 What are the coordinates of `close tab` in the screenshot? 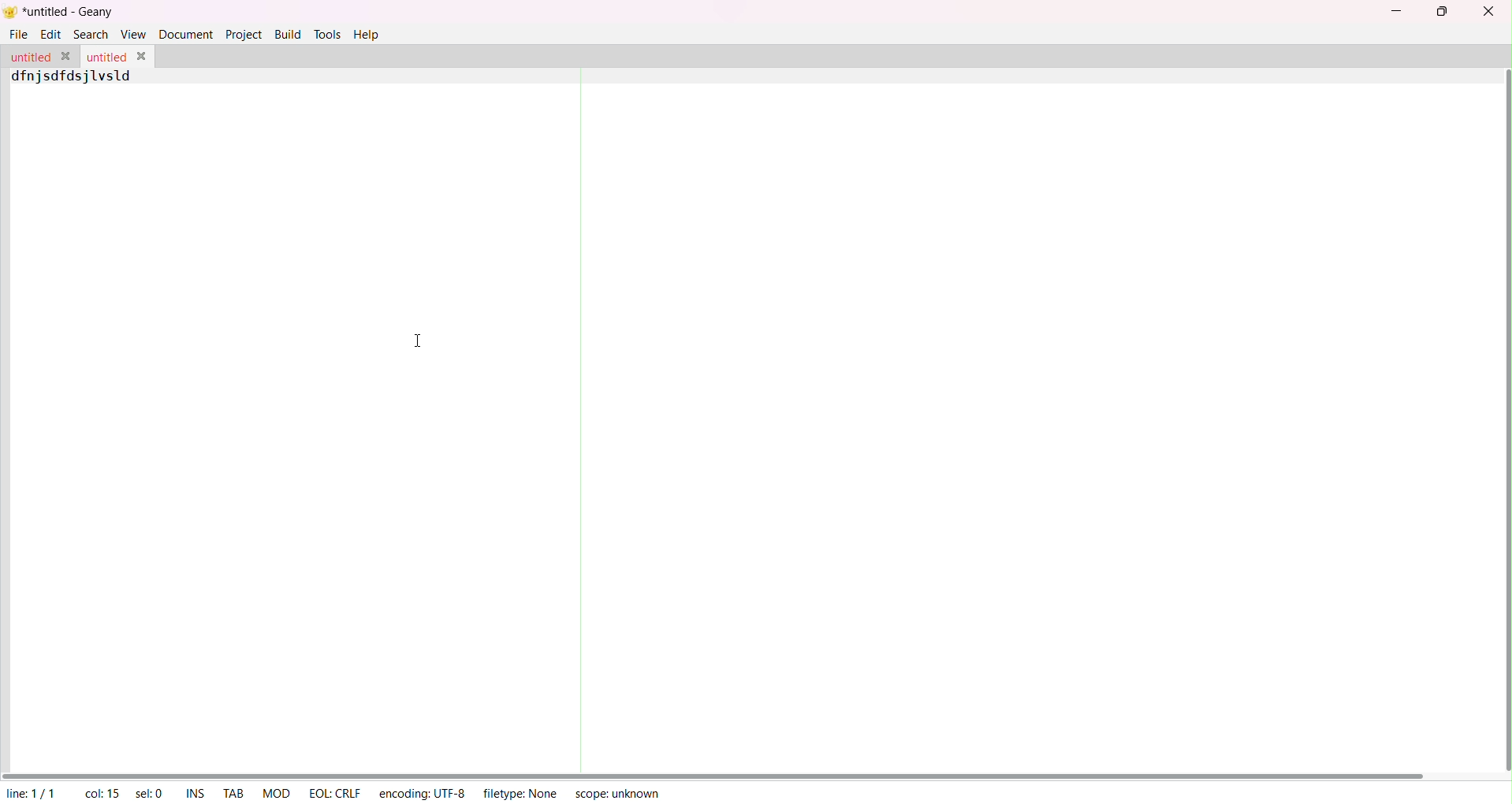 It's located at (67, 55).